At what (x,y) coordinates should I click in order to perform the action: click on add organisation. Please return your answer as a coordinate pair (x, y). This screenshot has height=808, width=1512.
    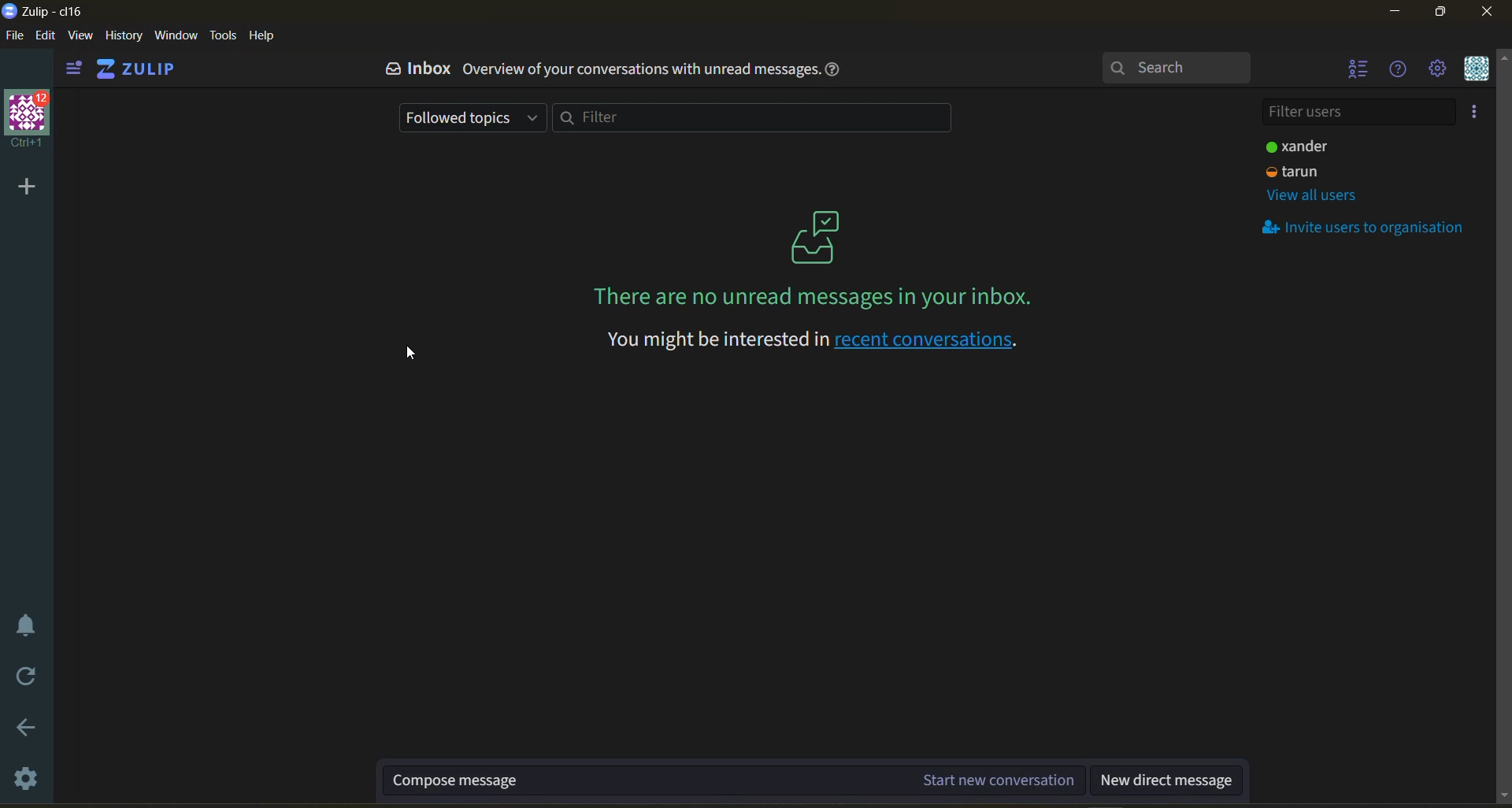
    Looking at the image, I should click on (29, 187).